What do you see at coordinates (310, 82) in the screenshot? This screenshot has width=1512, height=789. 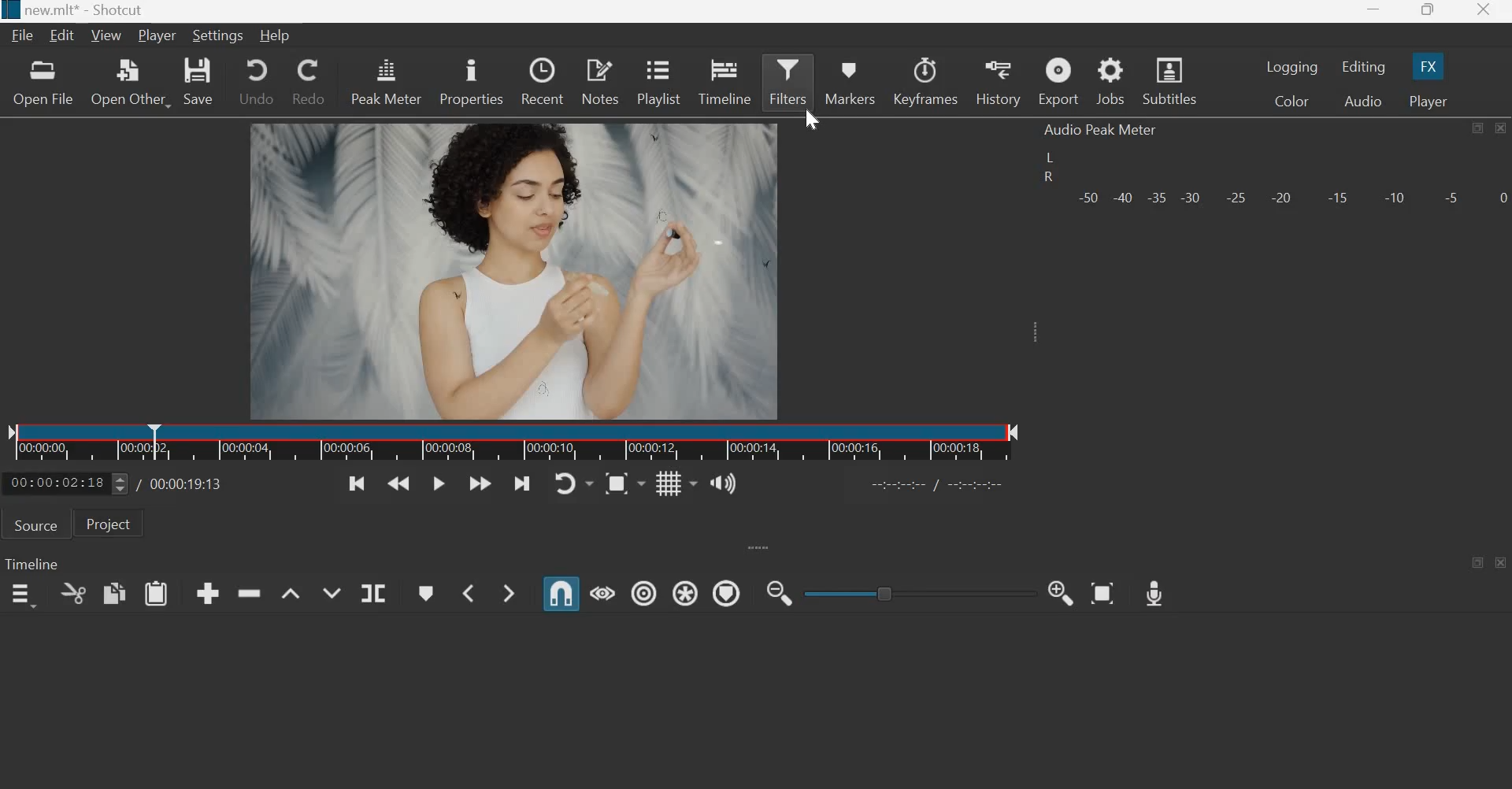 I see `Redo` at bounding box center [310, 82].